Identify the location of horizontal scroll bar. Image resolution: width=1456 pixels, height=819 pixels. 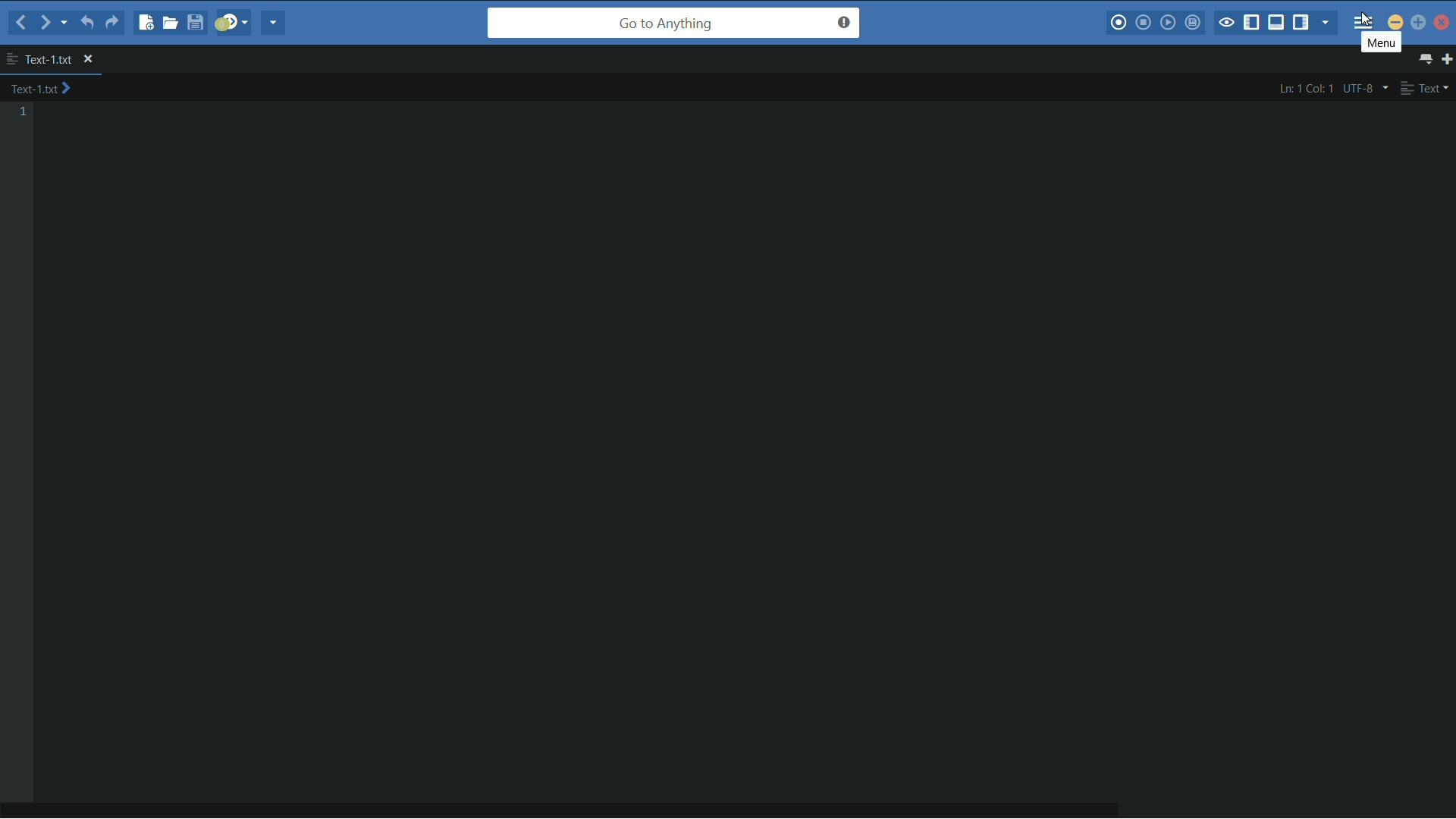
(576, 810).